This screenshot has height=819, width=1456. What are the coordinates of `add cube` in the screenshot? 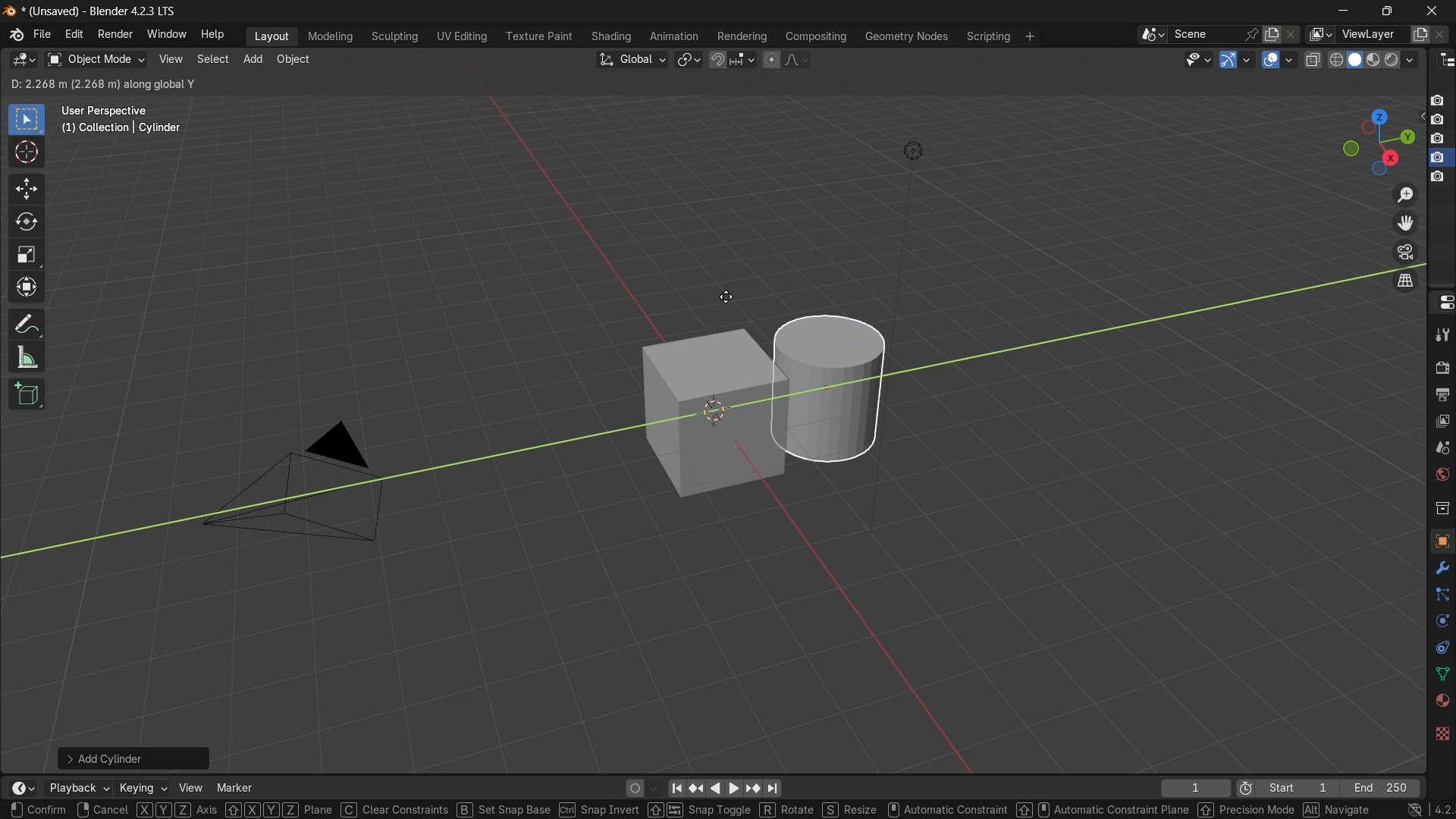 It's located at (26, 395).